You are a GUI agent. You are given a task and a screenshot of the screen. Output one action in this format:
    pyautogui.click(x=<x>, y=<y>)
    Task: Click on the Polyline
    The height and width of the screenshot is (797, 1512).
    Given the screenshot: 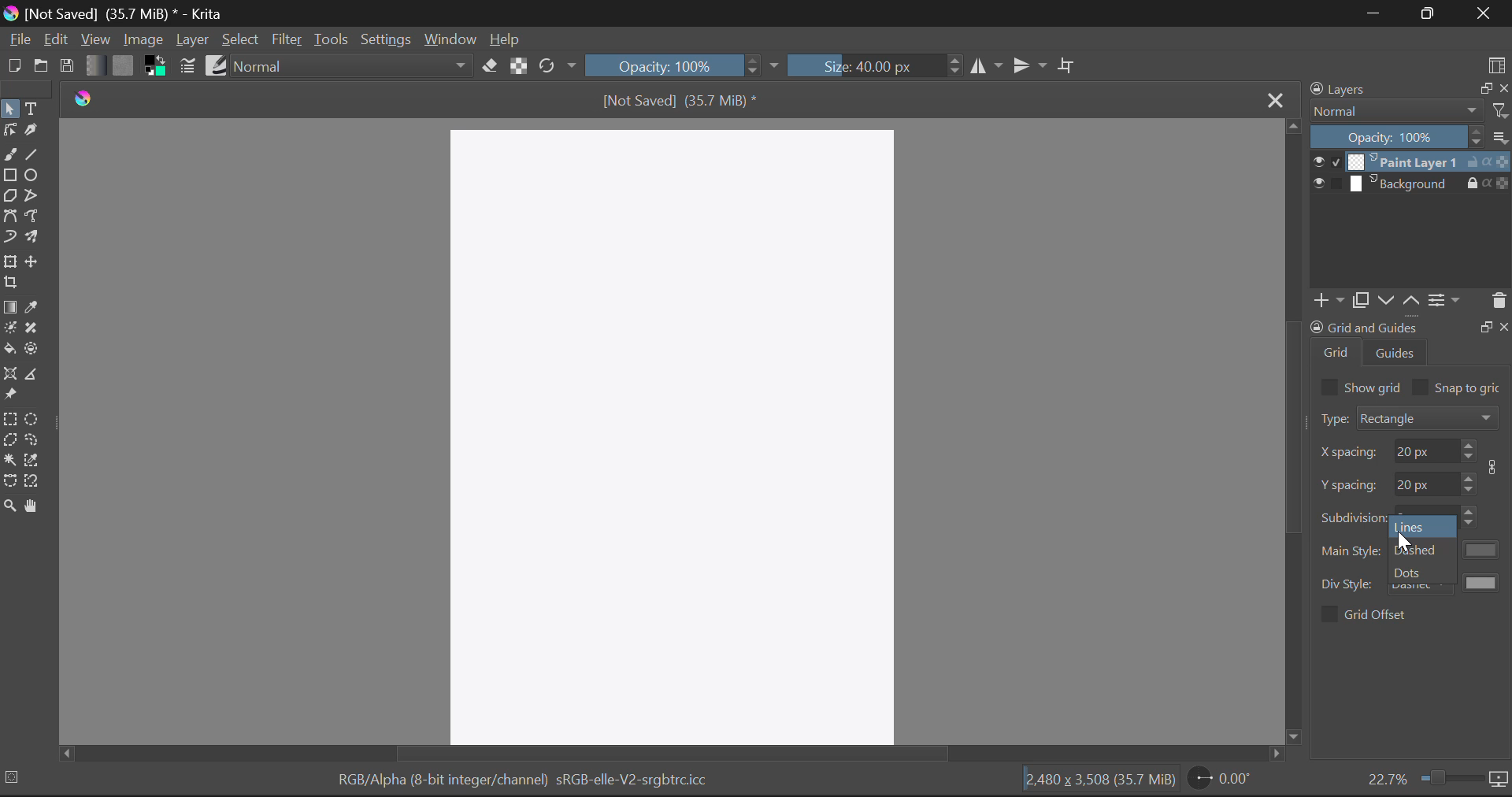 What is the action you would take?
    pyautogui.click(x=37, y=197)
    